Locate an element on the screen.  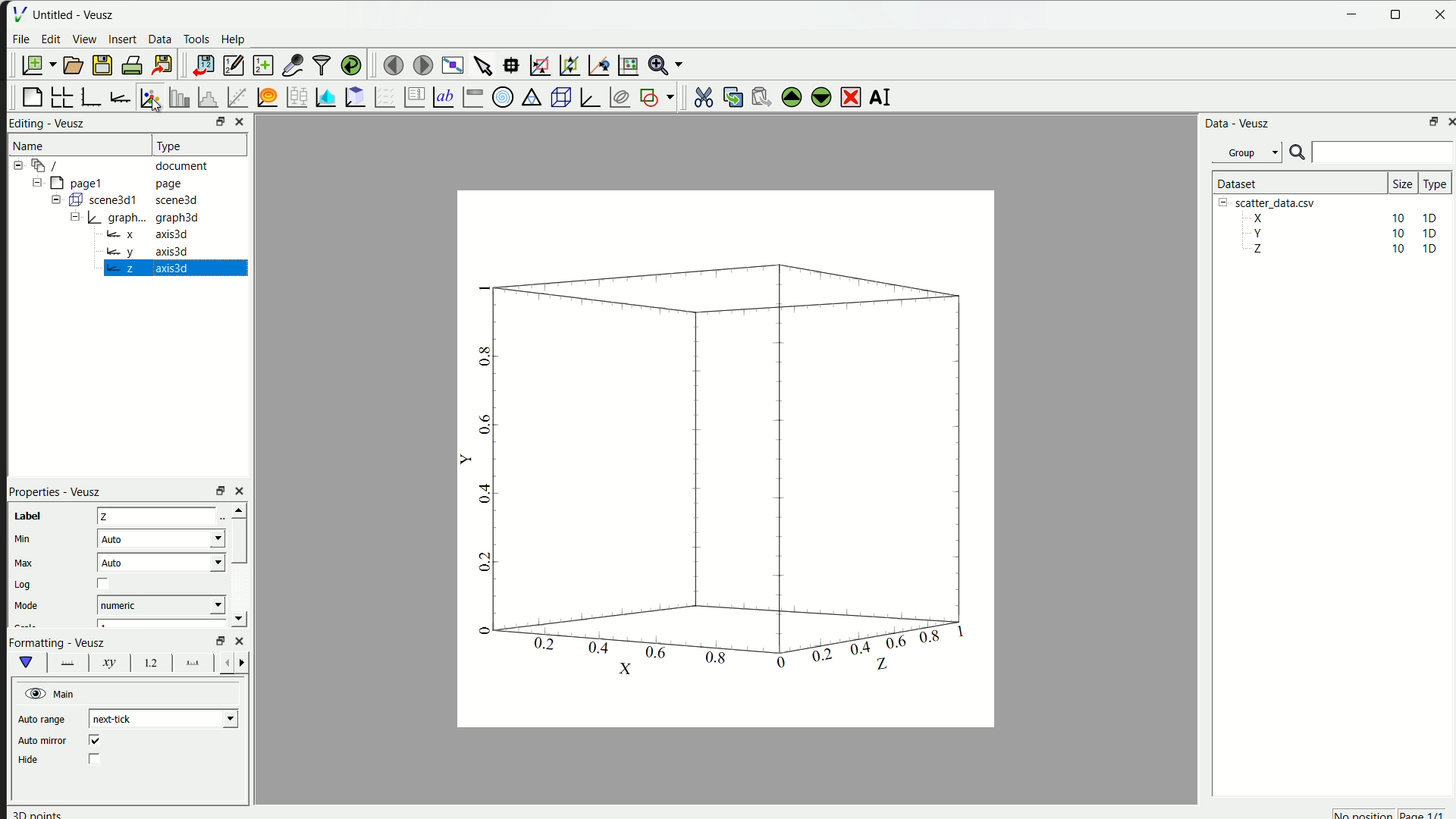
rezise is located at coordinates (218, 490).